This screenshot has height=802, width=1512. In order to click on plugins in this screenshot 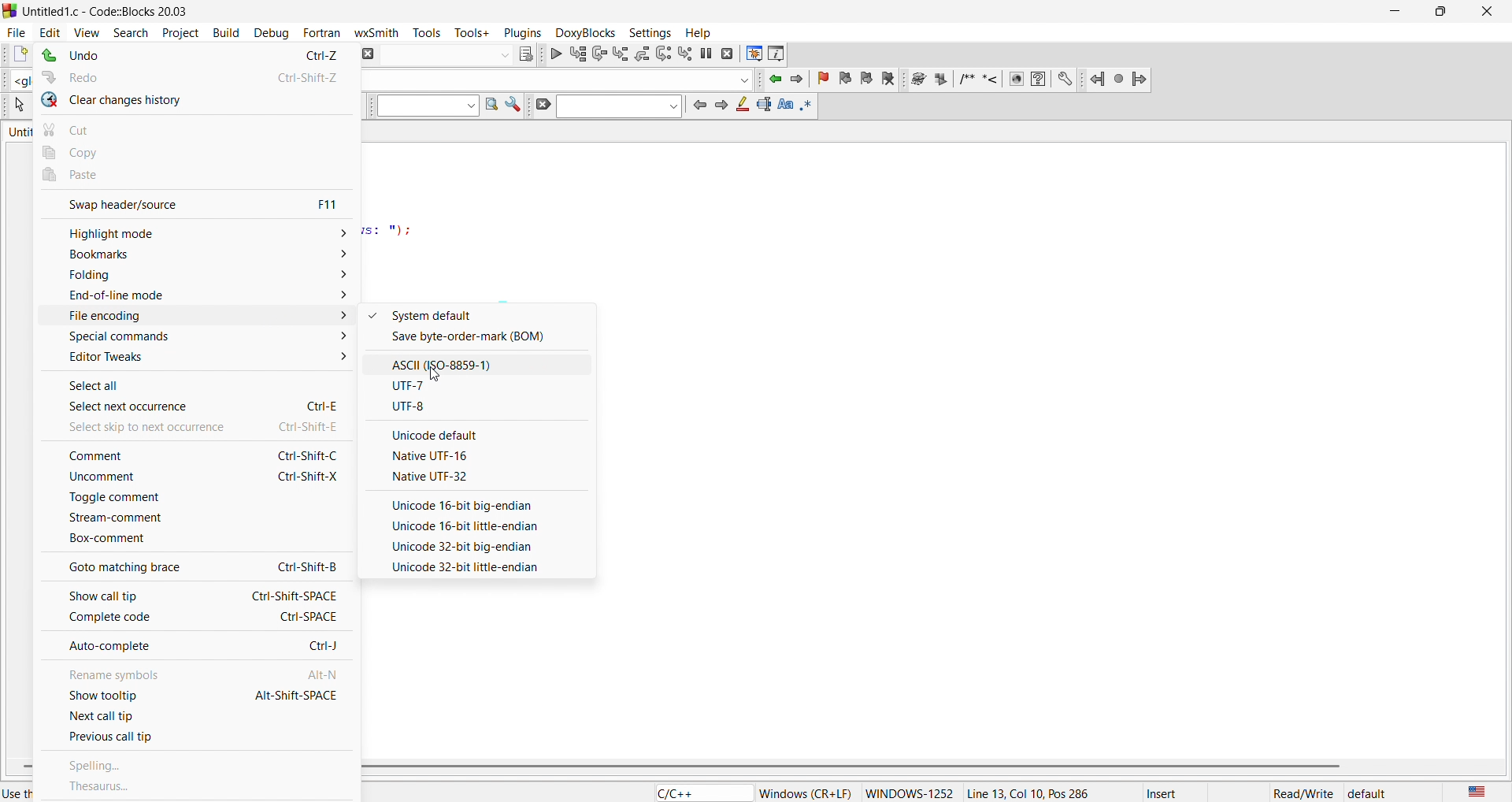, I will do `click(520, 33)`.